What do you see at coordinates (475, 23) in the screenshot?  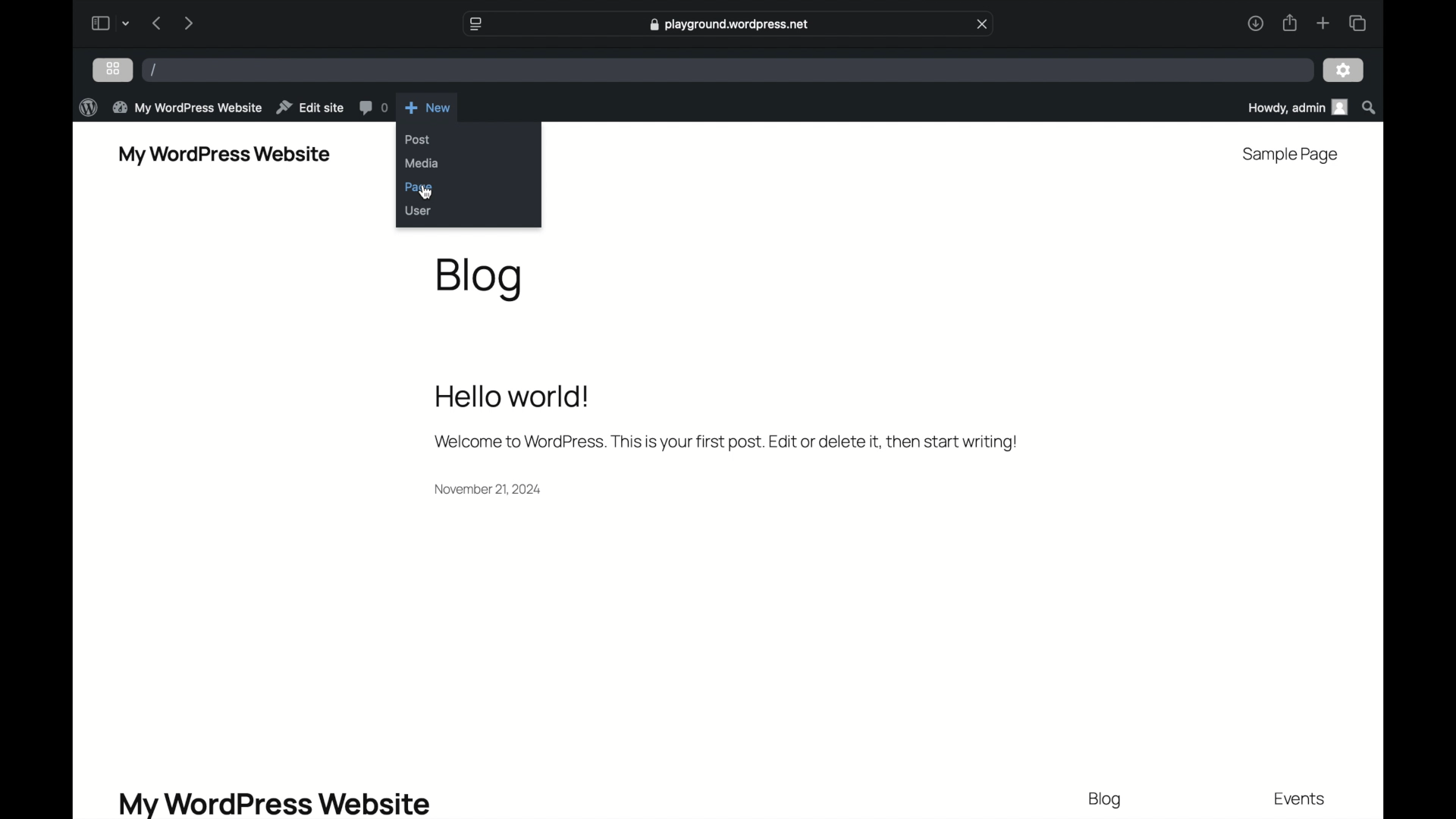 I see `website settings` at bounding box center [475, 23].